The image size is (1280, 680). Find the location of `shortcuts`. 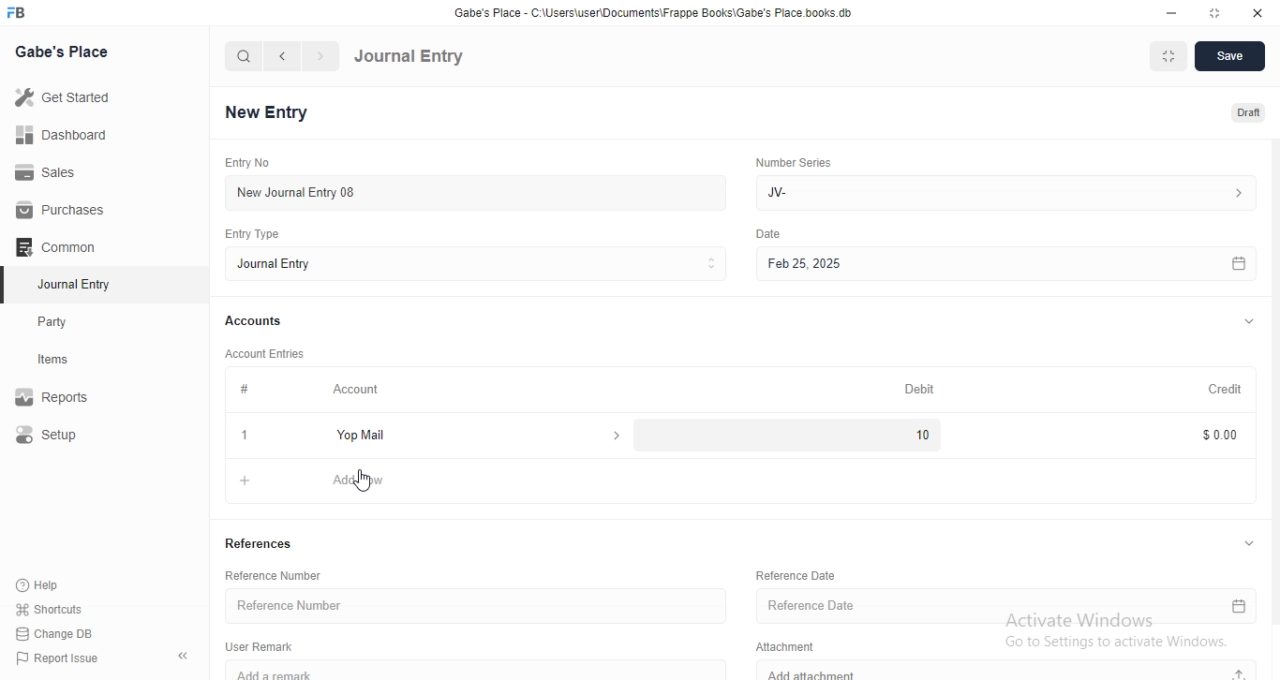

shortcuts is located at coordinates (62, 608).